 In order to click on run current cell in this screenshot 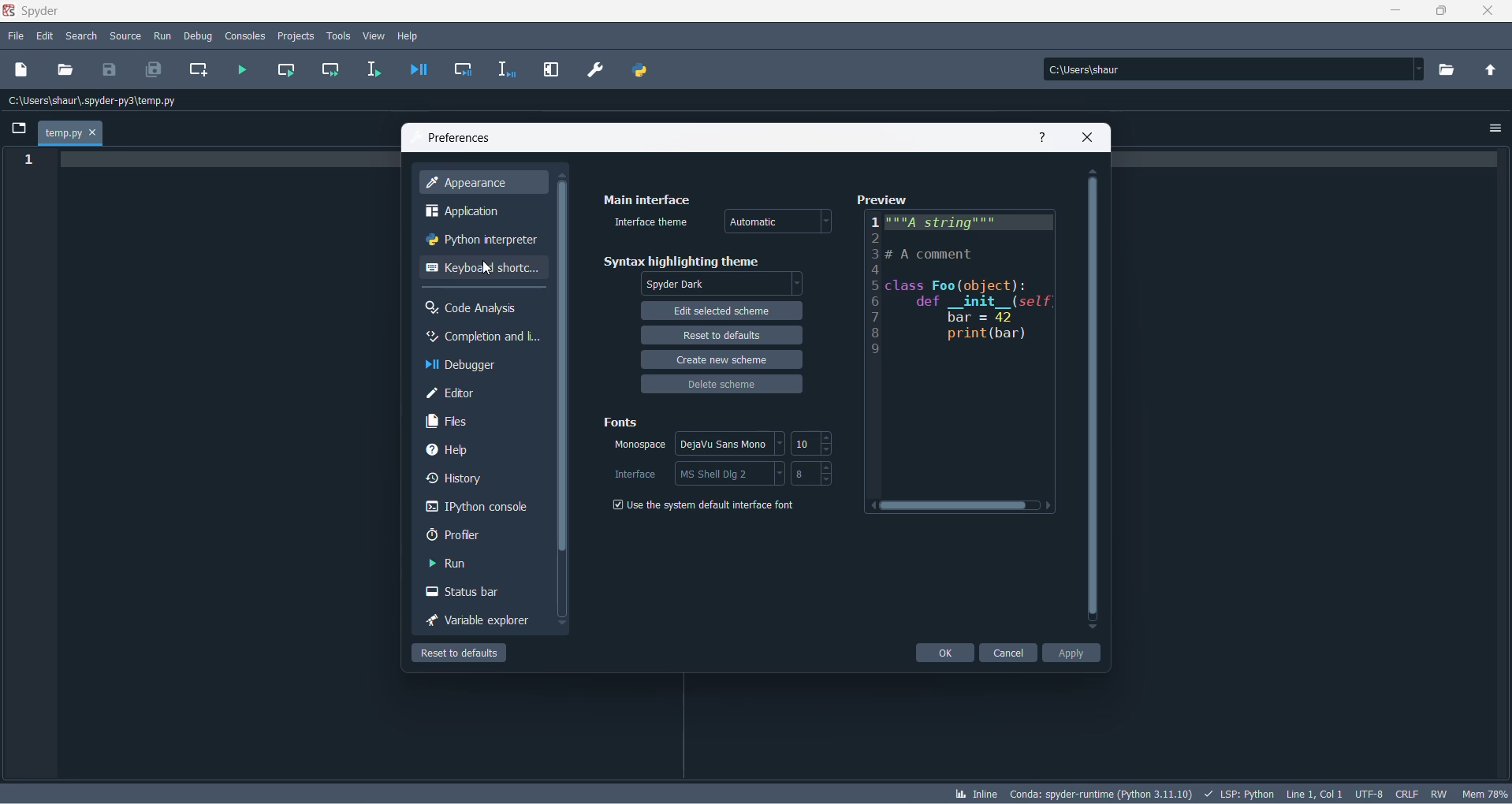, I will do `click(283, 71)`.